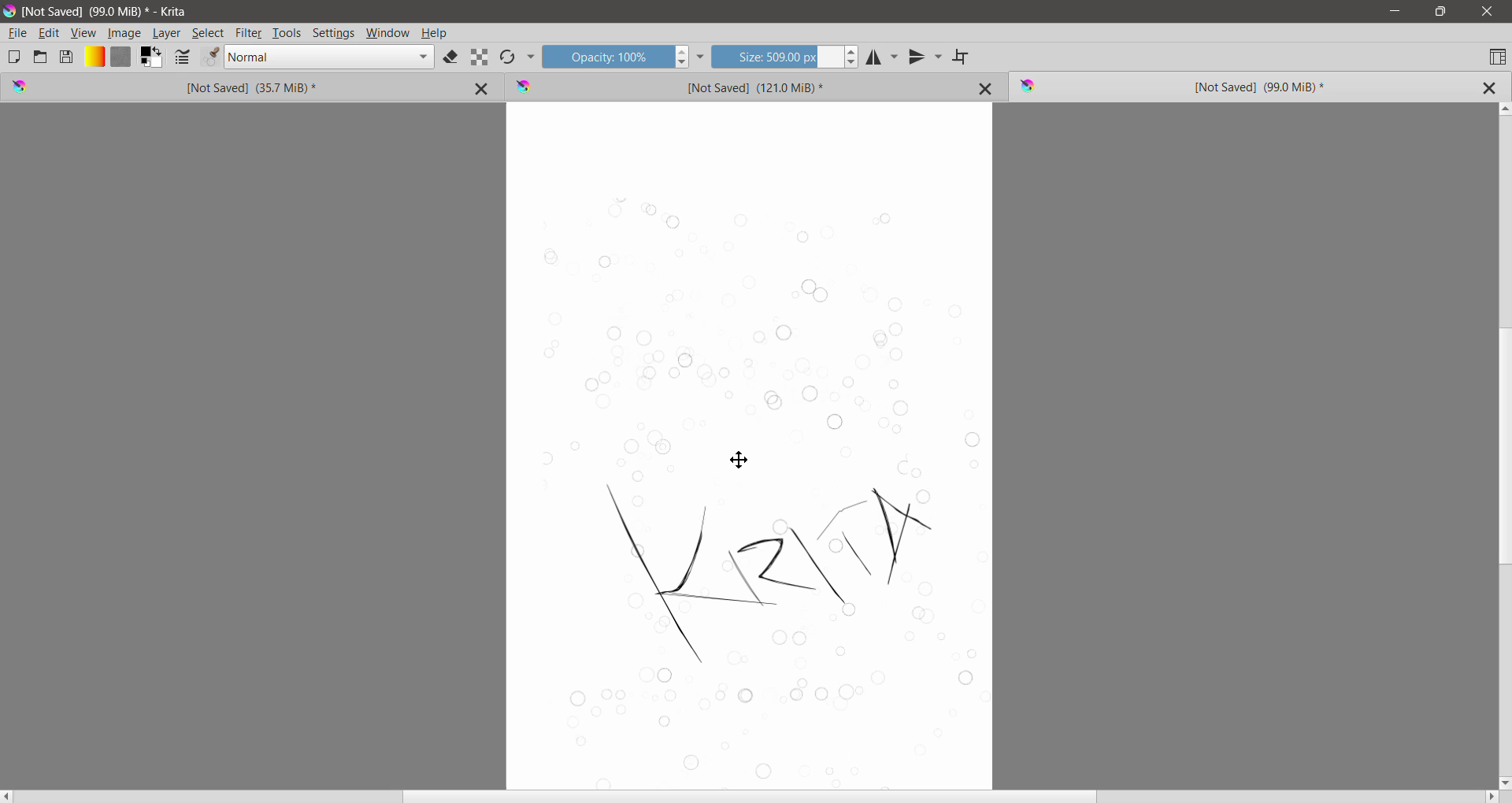  Describe the element at coordinates (606, 56) in the screenshot. I see `Opacity input` at that location.